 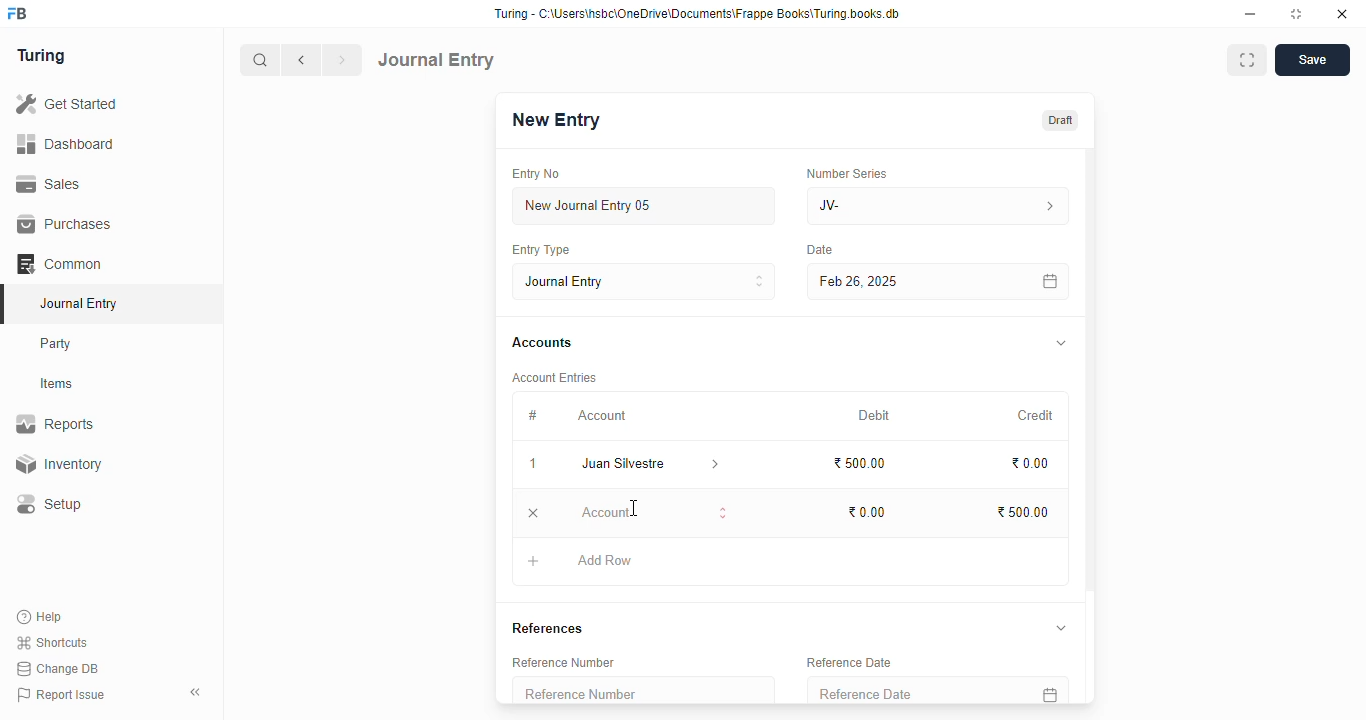 I want to click on toggle sidebar, so click(x=197, y=692).